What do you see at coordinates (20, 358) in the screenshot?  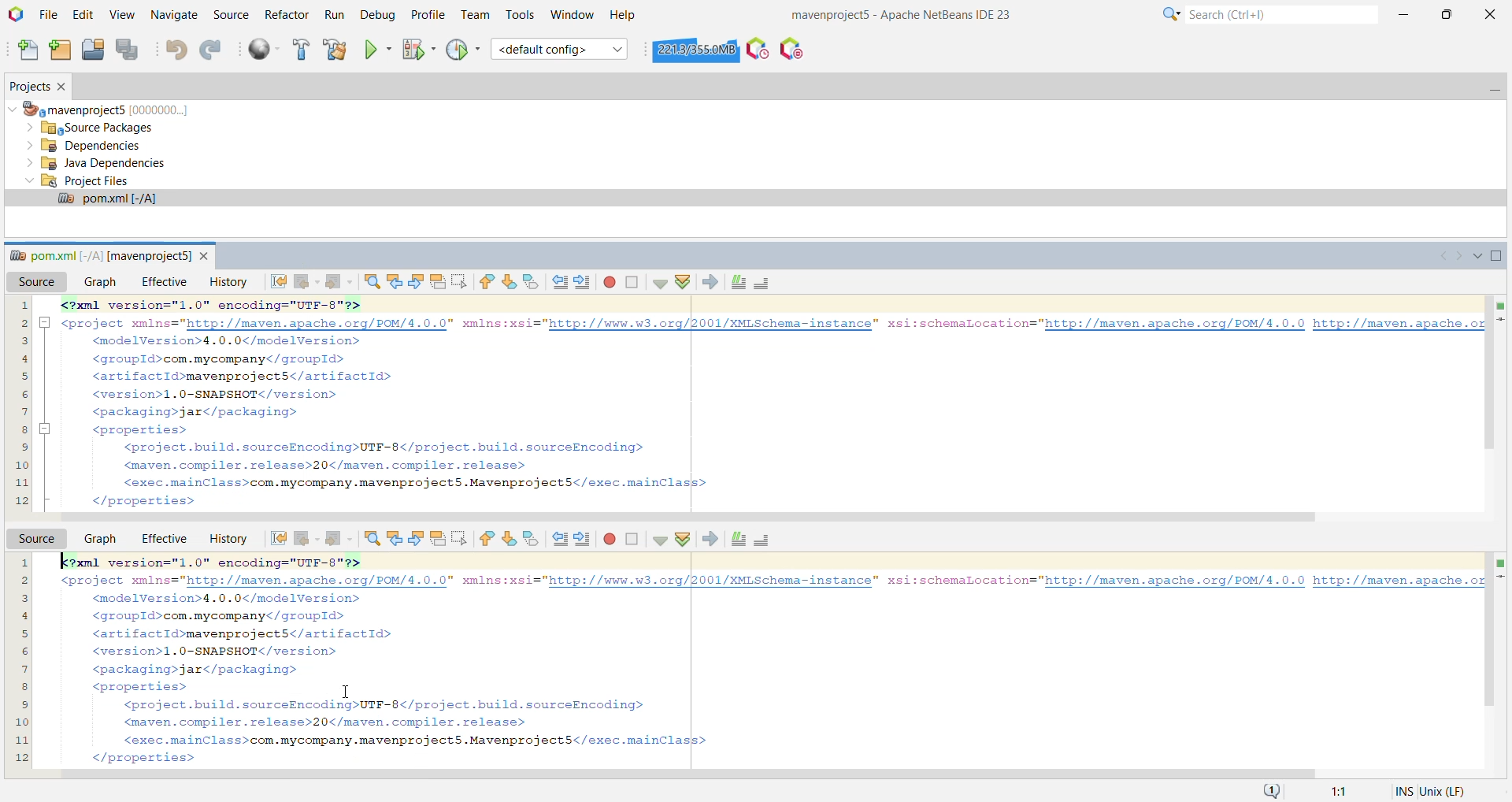 I see `4` at bounding box center [20, 358].